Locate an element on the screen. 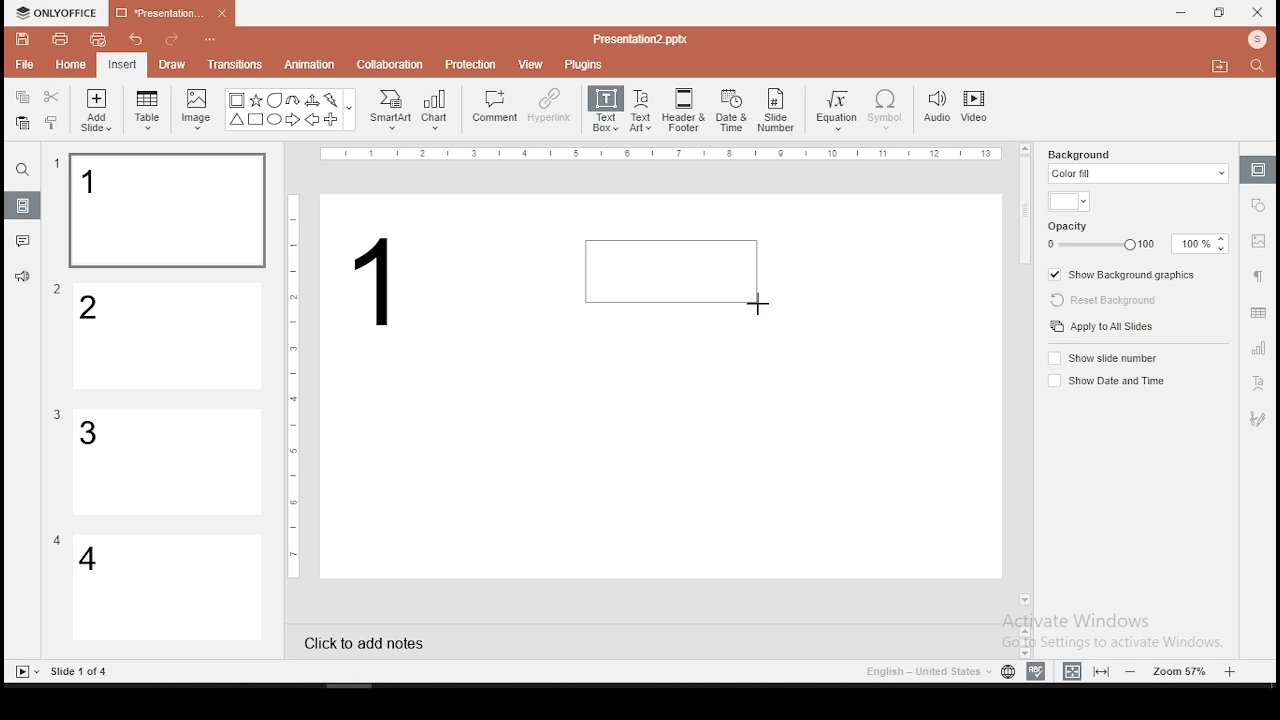  show background graphics on/off is located at coordinates (1121, 276).